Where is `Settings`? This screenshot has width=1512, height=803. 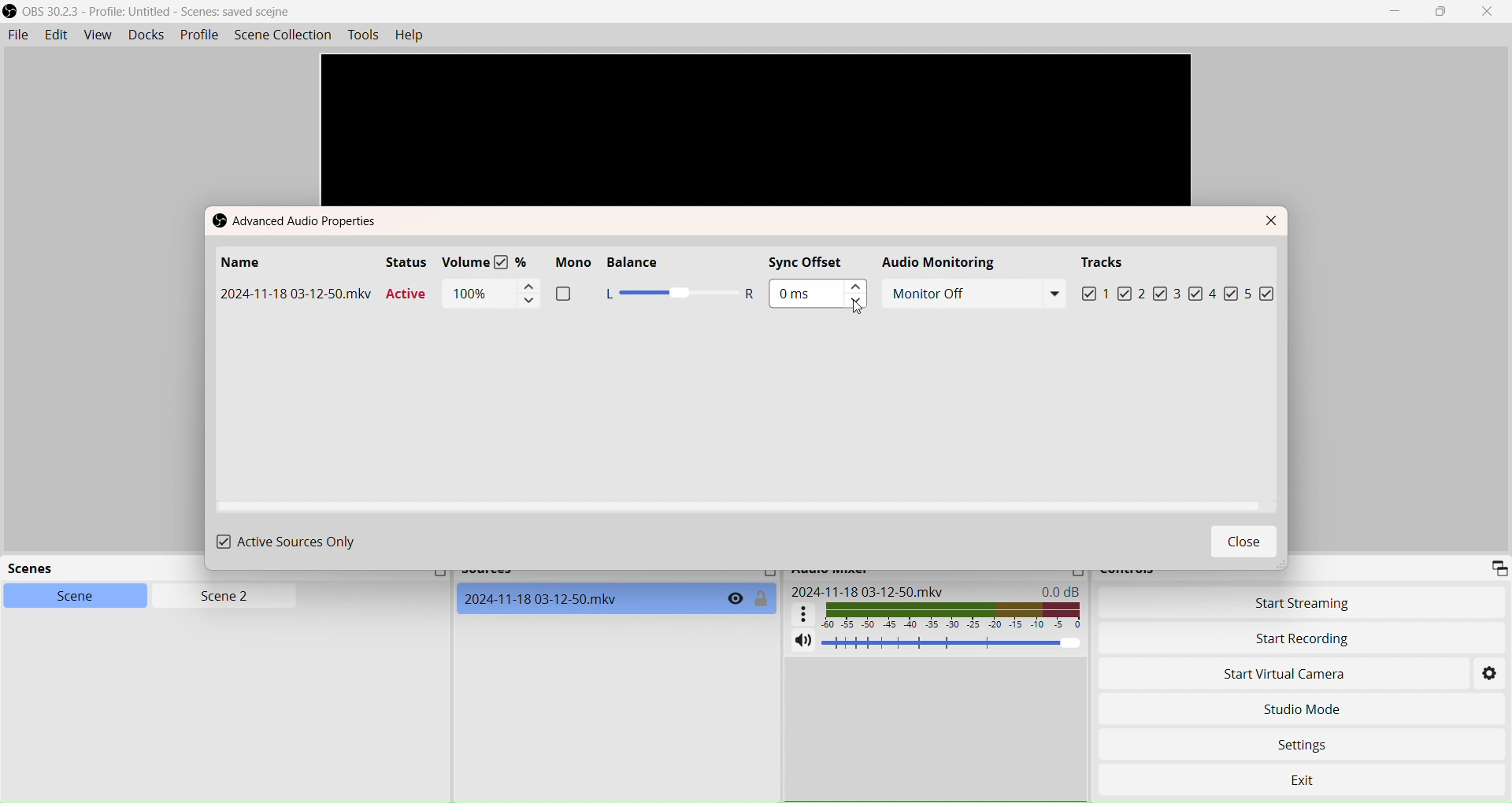
Settings is located at coordinates (1312, 742).